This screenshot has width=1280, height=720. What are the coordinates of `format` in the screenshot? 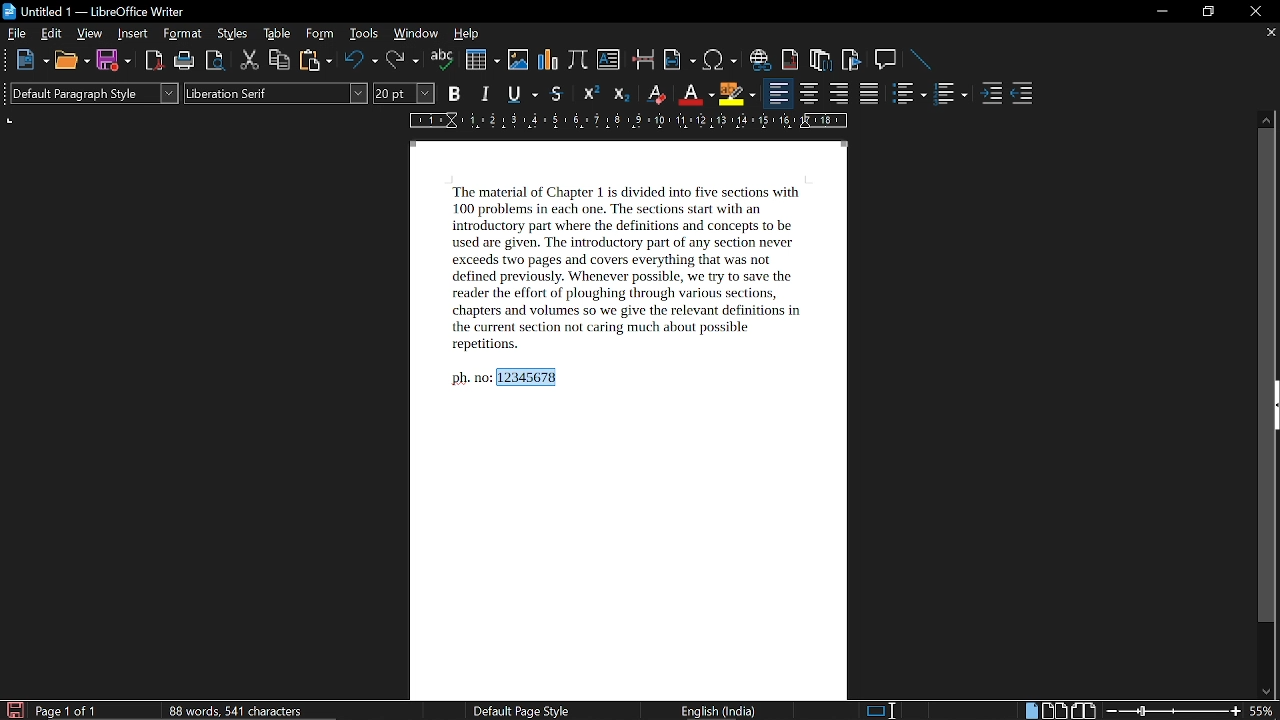 It's located at (180, 35).